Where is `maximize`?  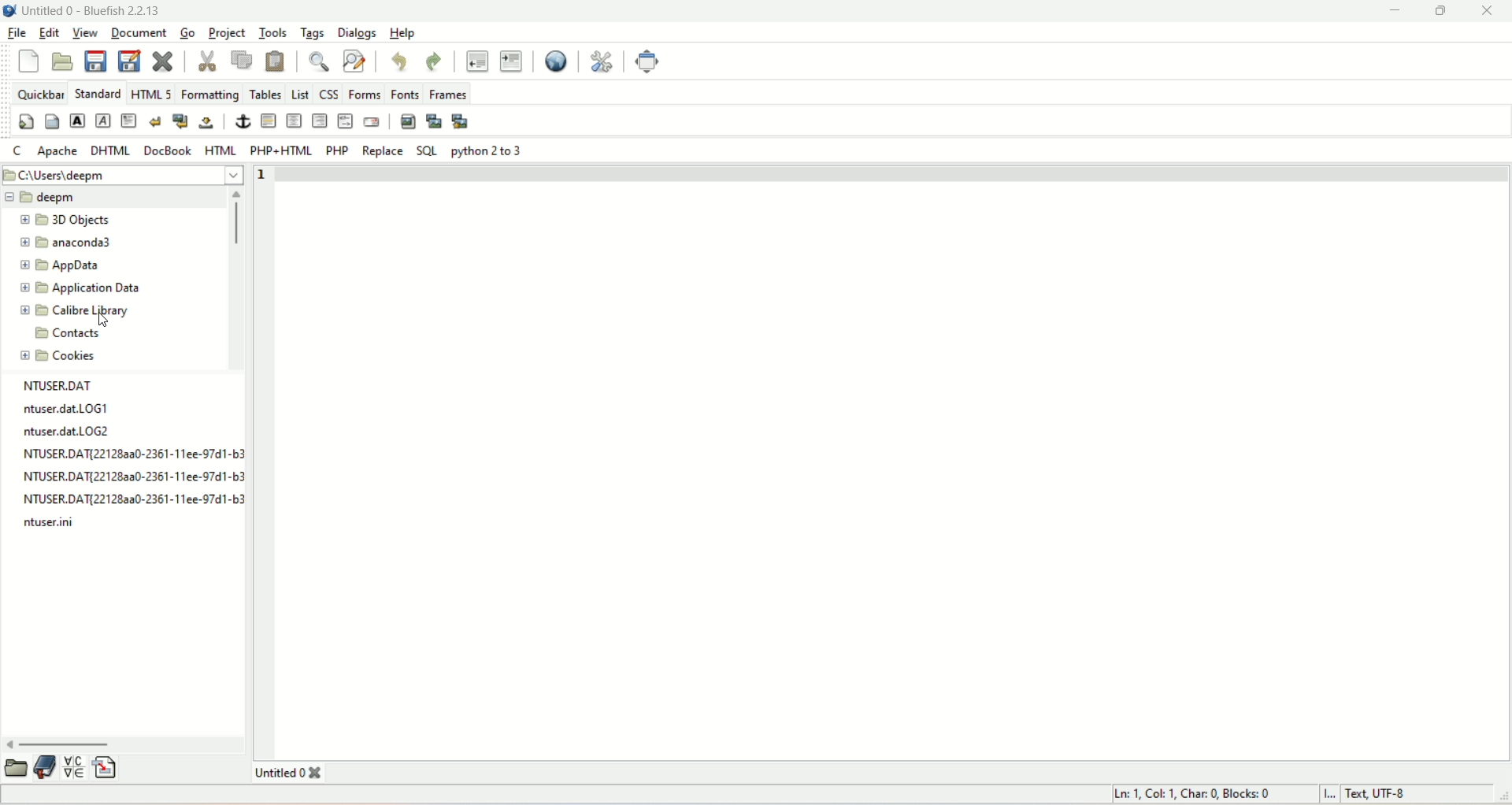
maximize is located at coordinates (1442, 12).